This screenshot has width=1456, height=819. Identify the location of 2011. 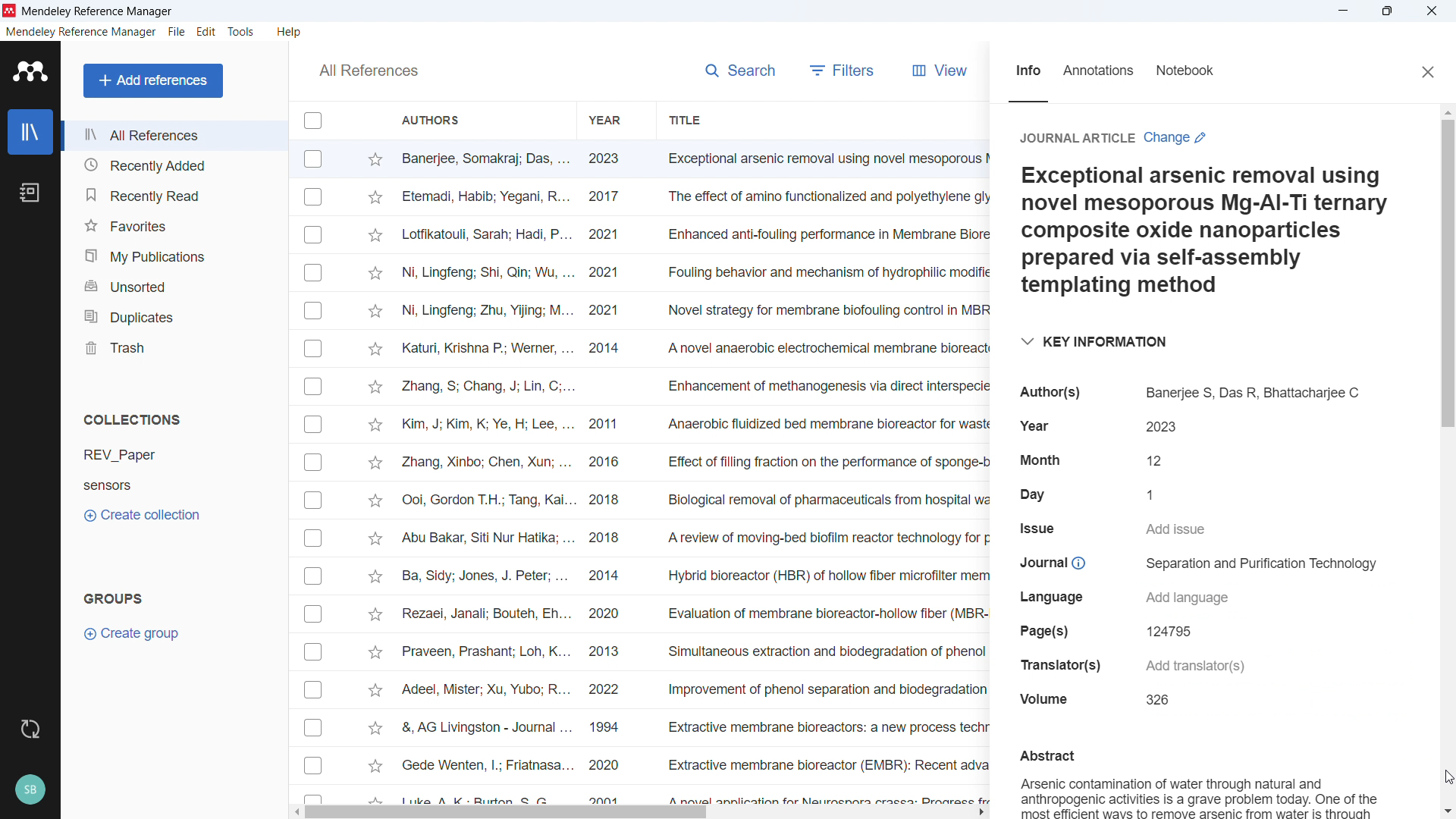
(608, 426).